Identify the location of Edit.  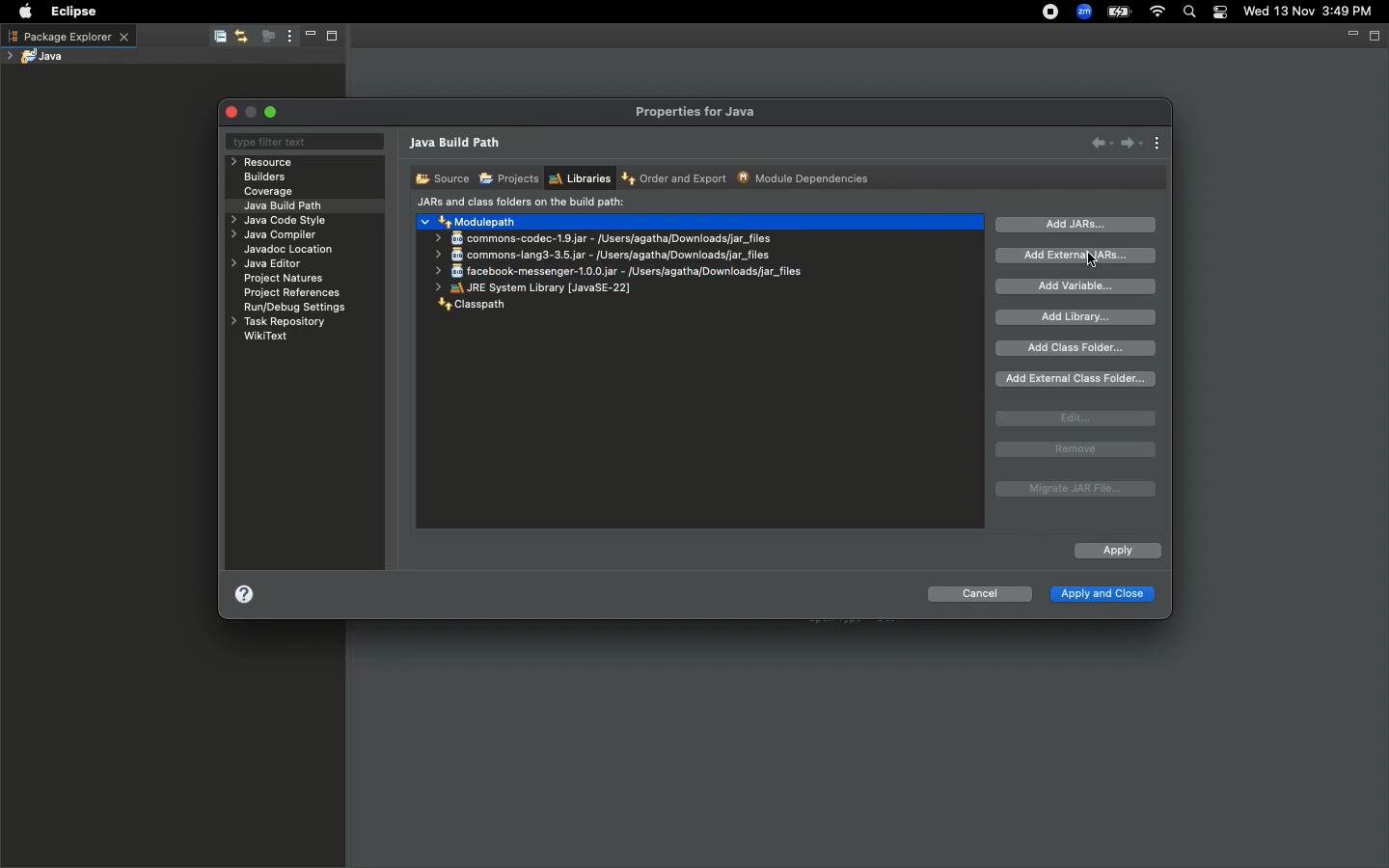
(1076, 419).